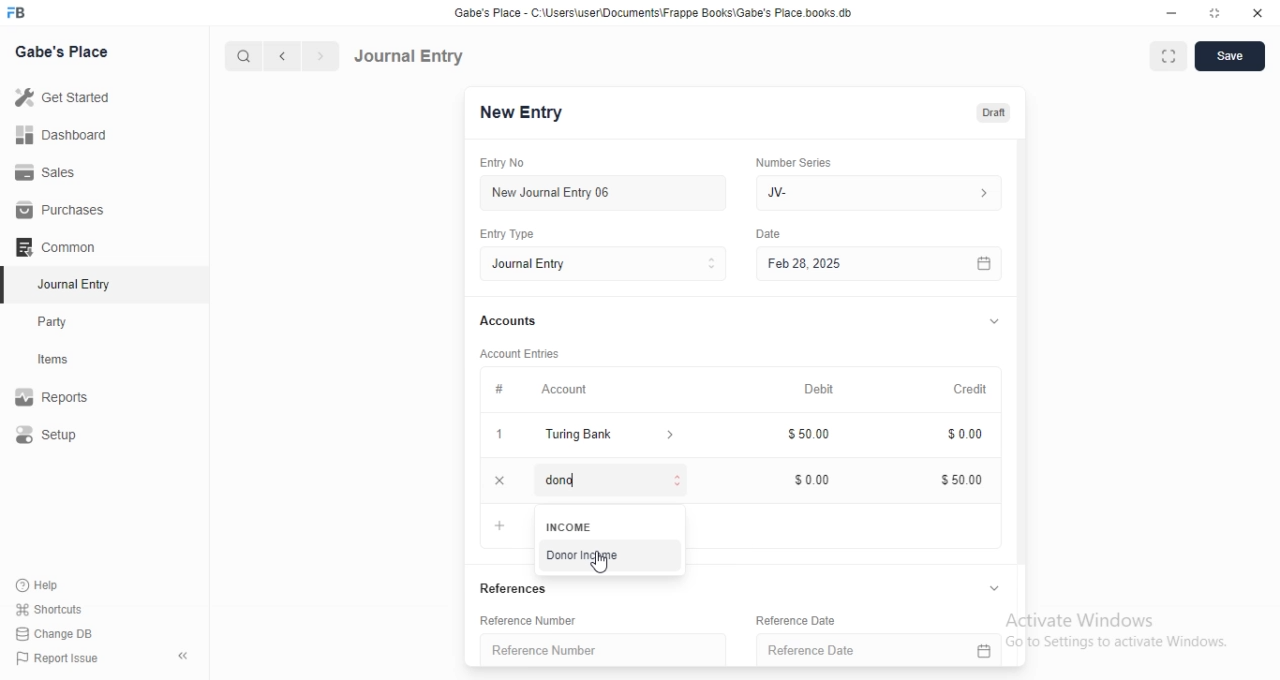 The width and height of the screenshot is (1280, 680). I want to click on 1, so click(496, 435).